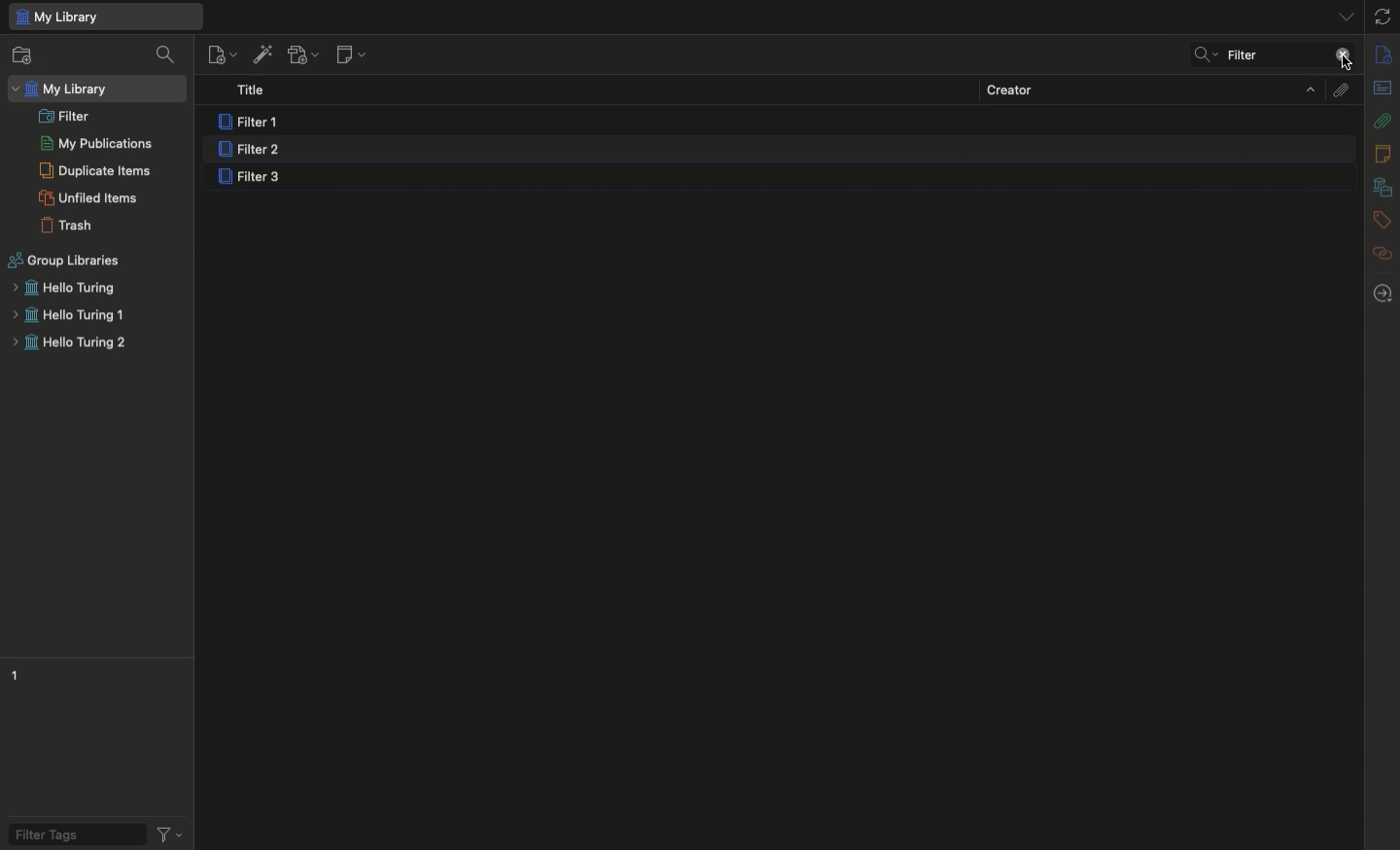 This screenshot has height=850, width=1400. I want to click on Sync, so click(1383, 17).